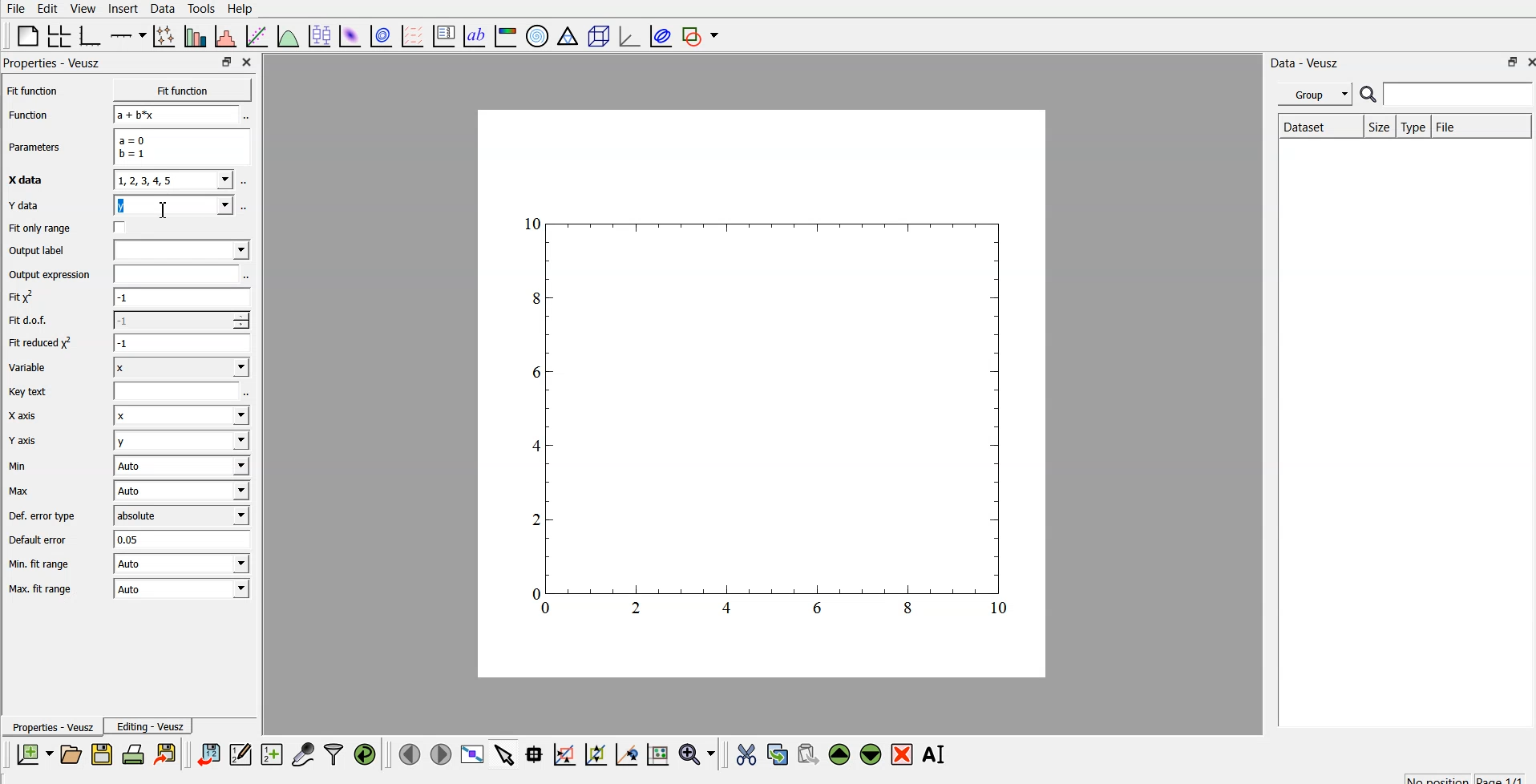 The height and width of the screenshot is (784, 1536). What do you see at coordinates (1378, 126) in the screenshot?
I see `size` at bounding box center [1378, 126].